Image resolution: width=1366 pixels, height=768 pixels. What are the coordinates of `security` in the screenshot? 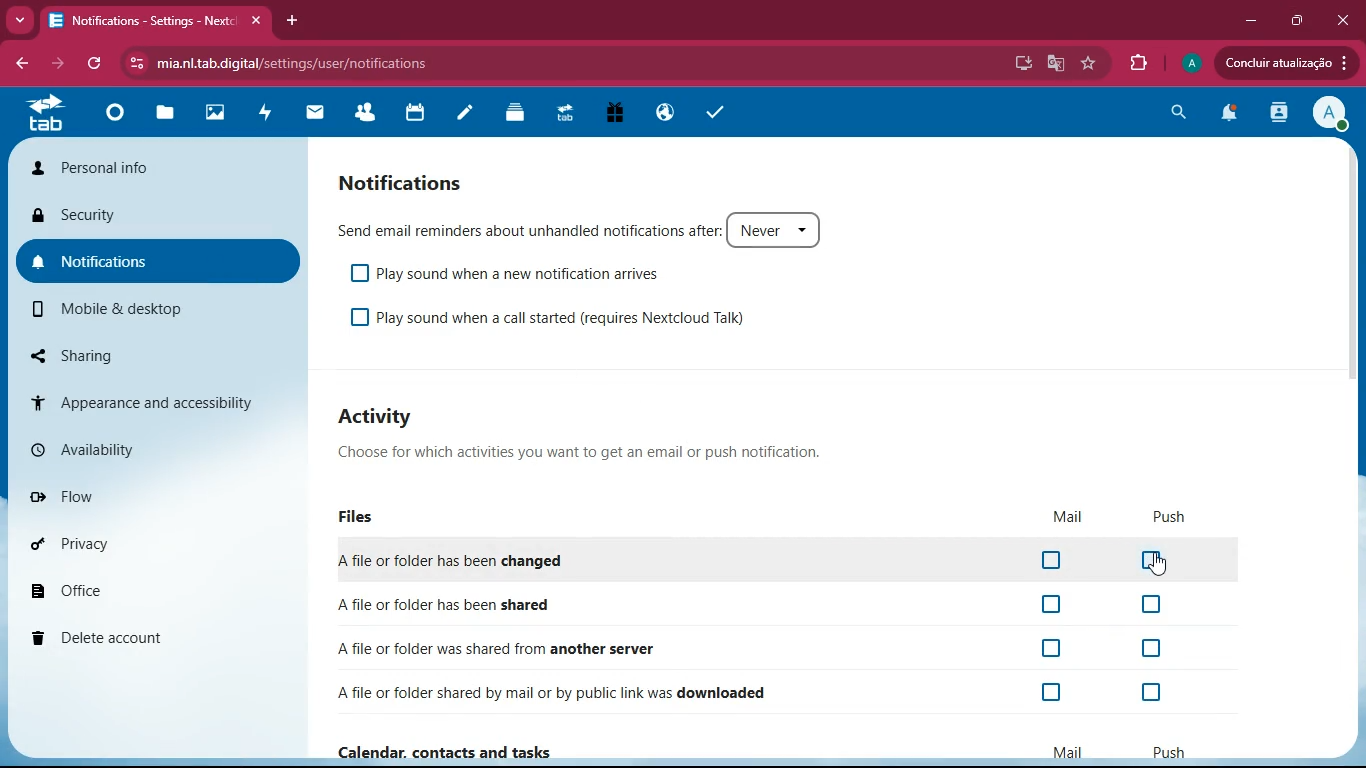 It's located at (149, 218).